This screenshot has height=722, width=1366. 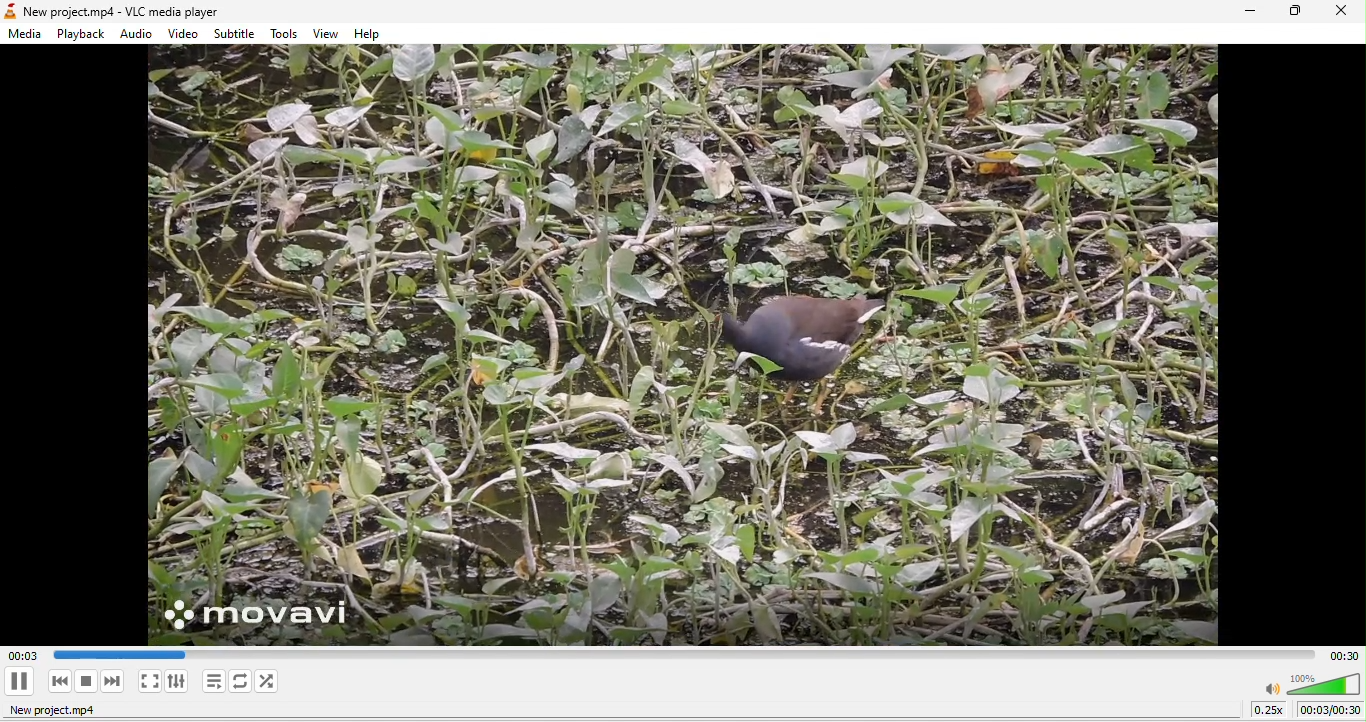 I want to click on video in fullscreen, so click(x=150, y=684).